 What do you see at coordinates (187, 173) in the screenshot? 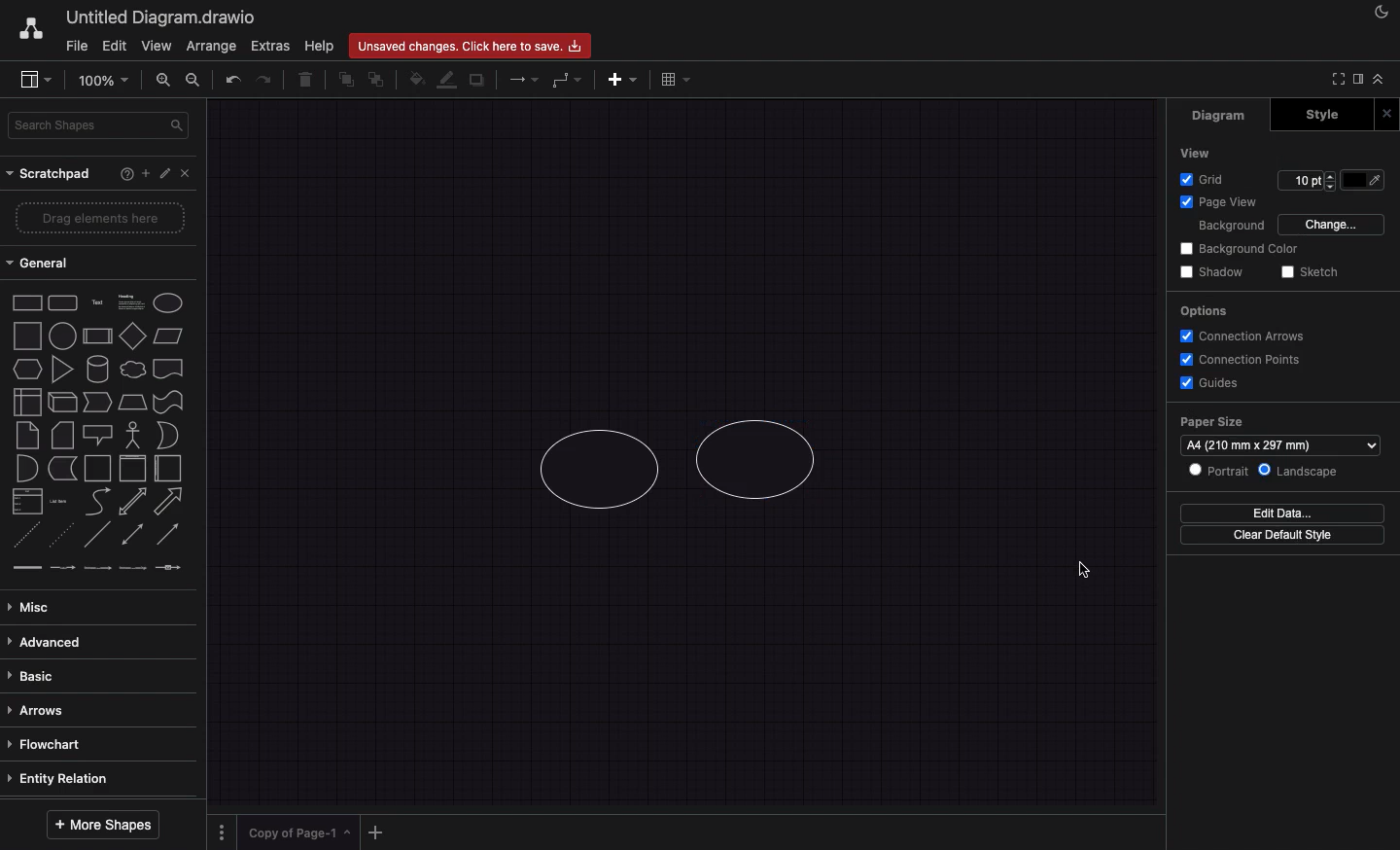
I see `close` at bounding box center [187, 173].